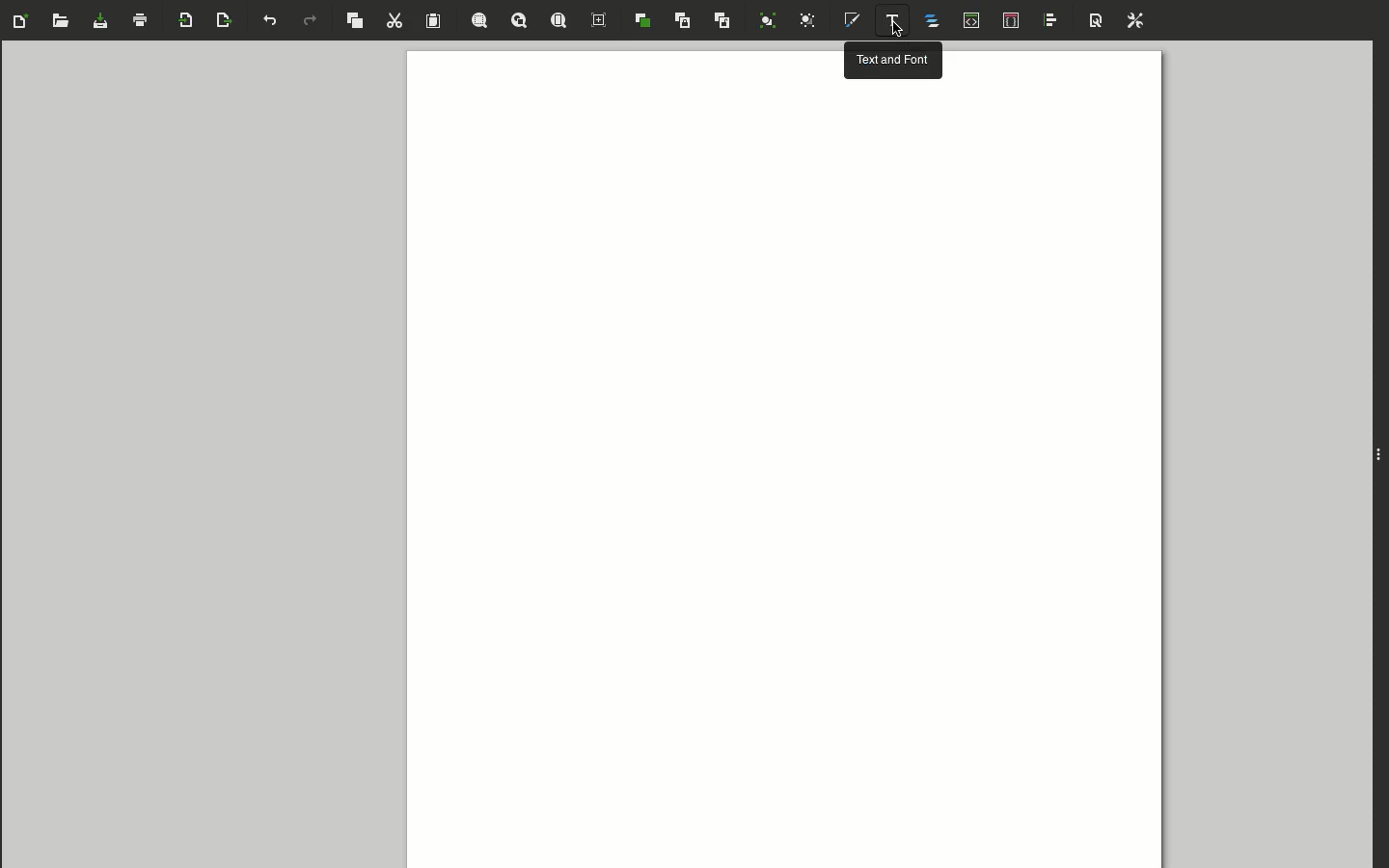 The width and height of the screenshot is (1389, 868). What do you see at coordinates (268, 25) in the screenshot?
I see `Undo` at bounding box center [268, 25].